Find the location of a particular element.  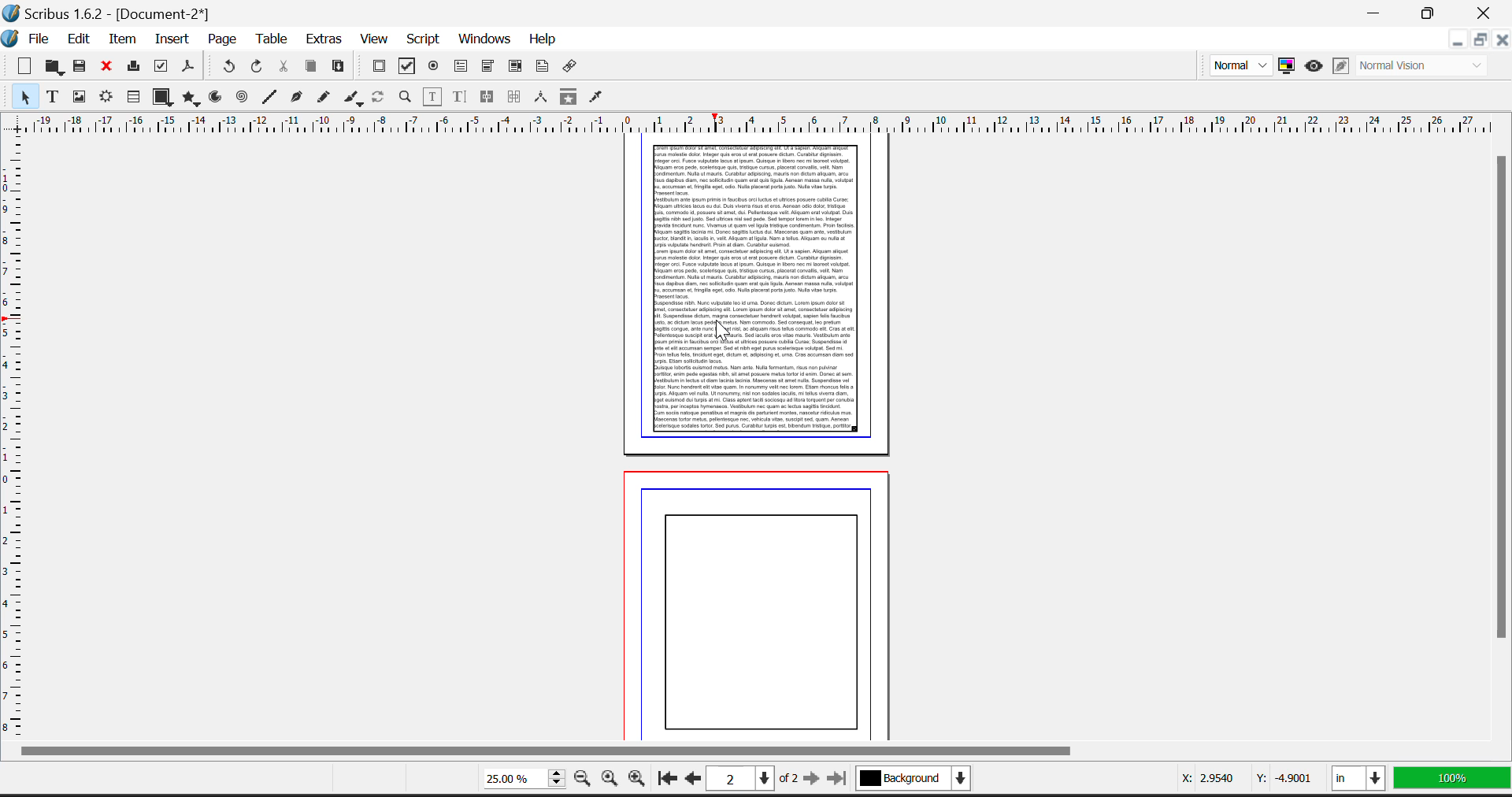

Zoom Settings is located at coordinates (613, 780).